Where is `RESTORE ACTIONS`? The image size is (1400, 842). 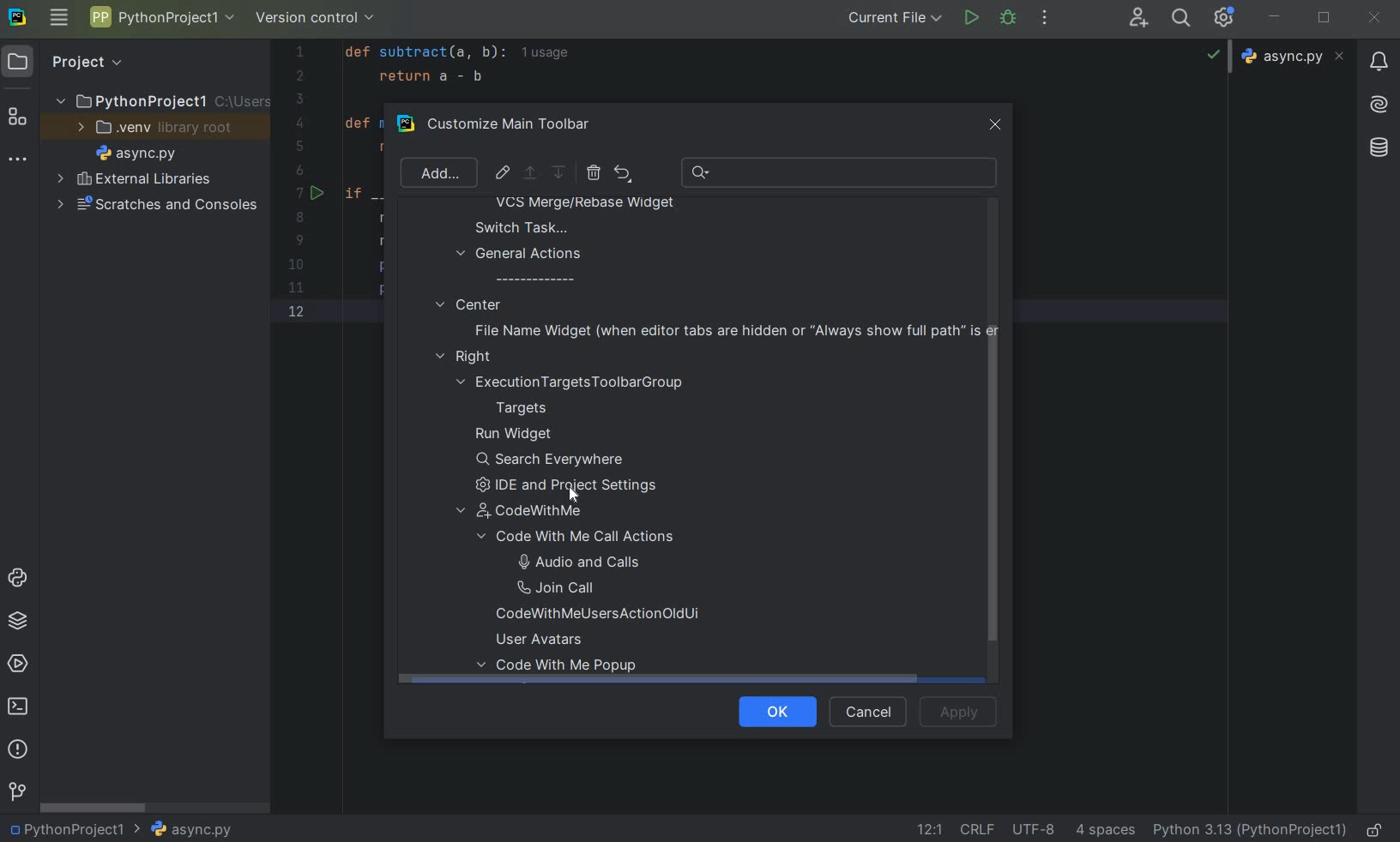 RESTORE ACTIONS is located at coordinates (623, 173).